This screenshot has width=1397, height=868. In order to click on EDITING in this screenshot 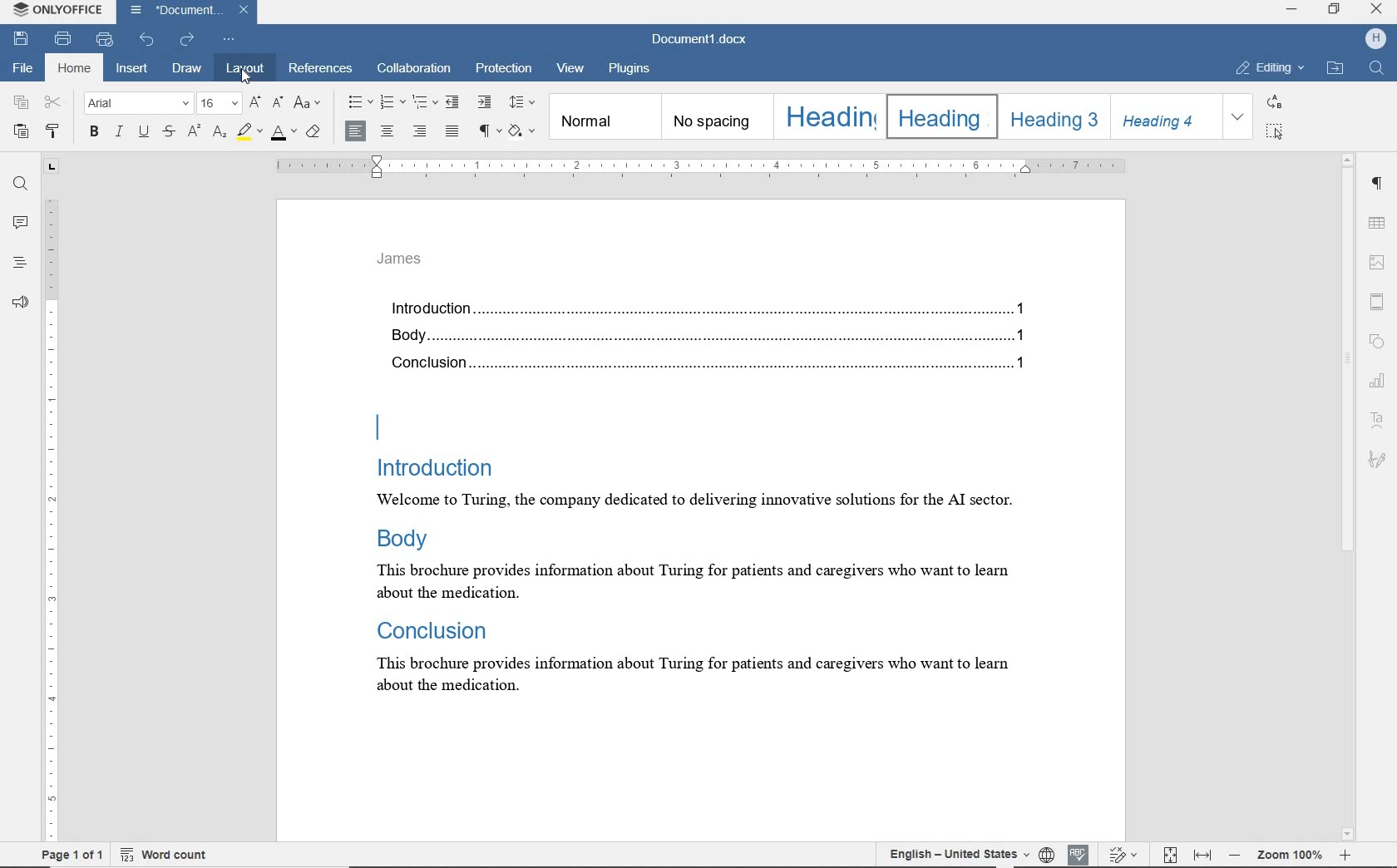, I will do `click(1270, 67)`.